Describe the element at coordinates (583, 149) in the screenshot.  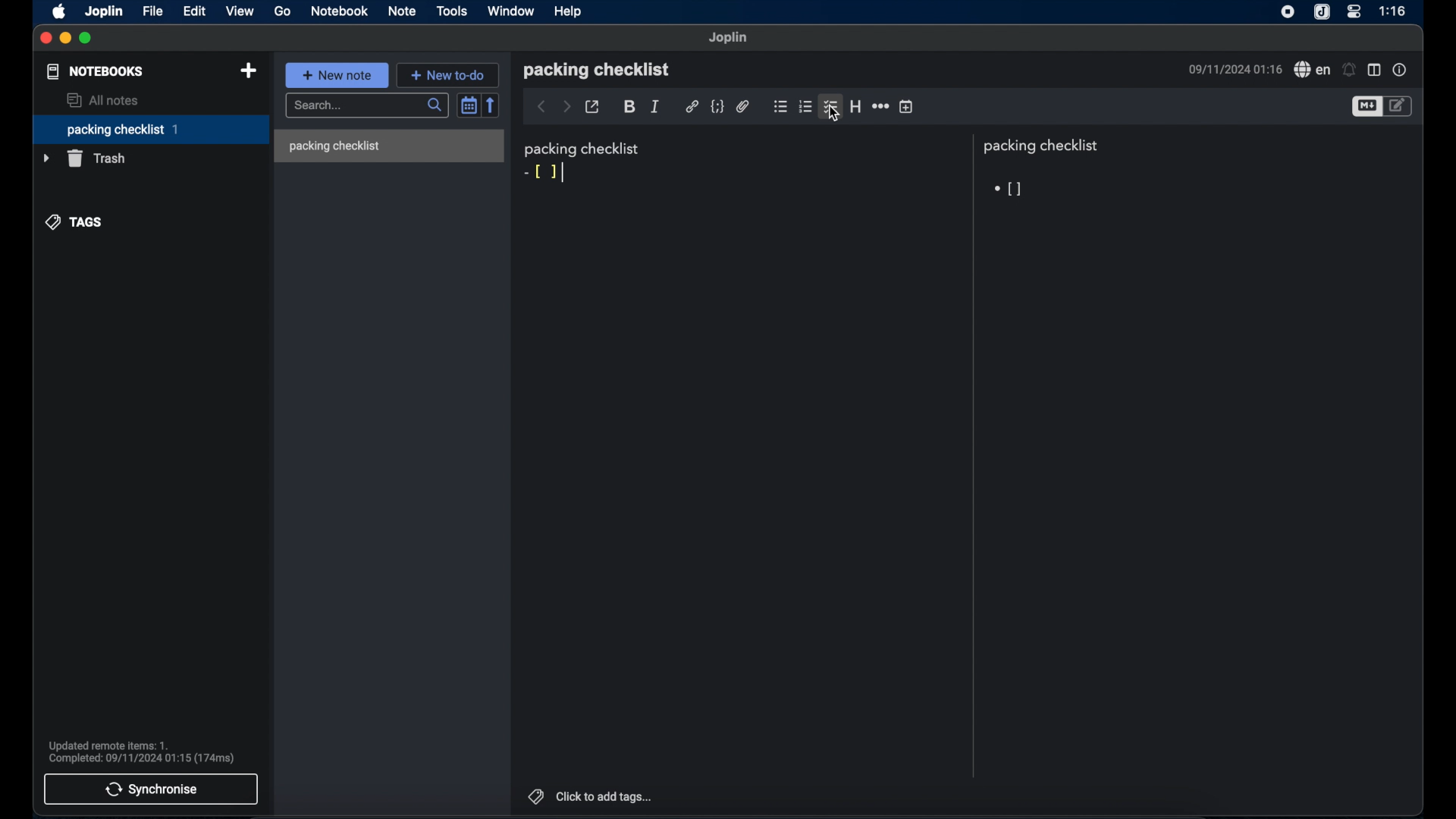
I see `packing checklist` at that location.